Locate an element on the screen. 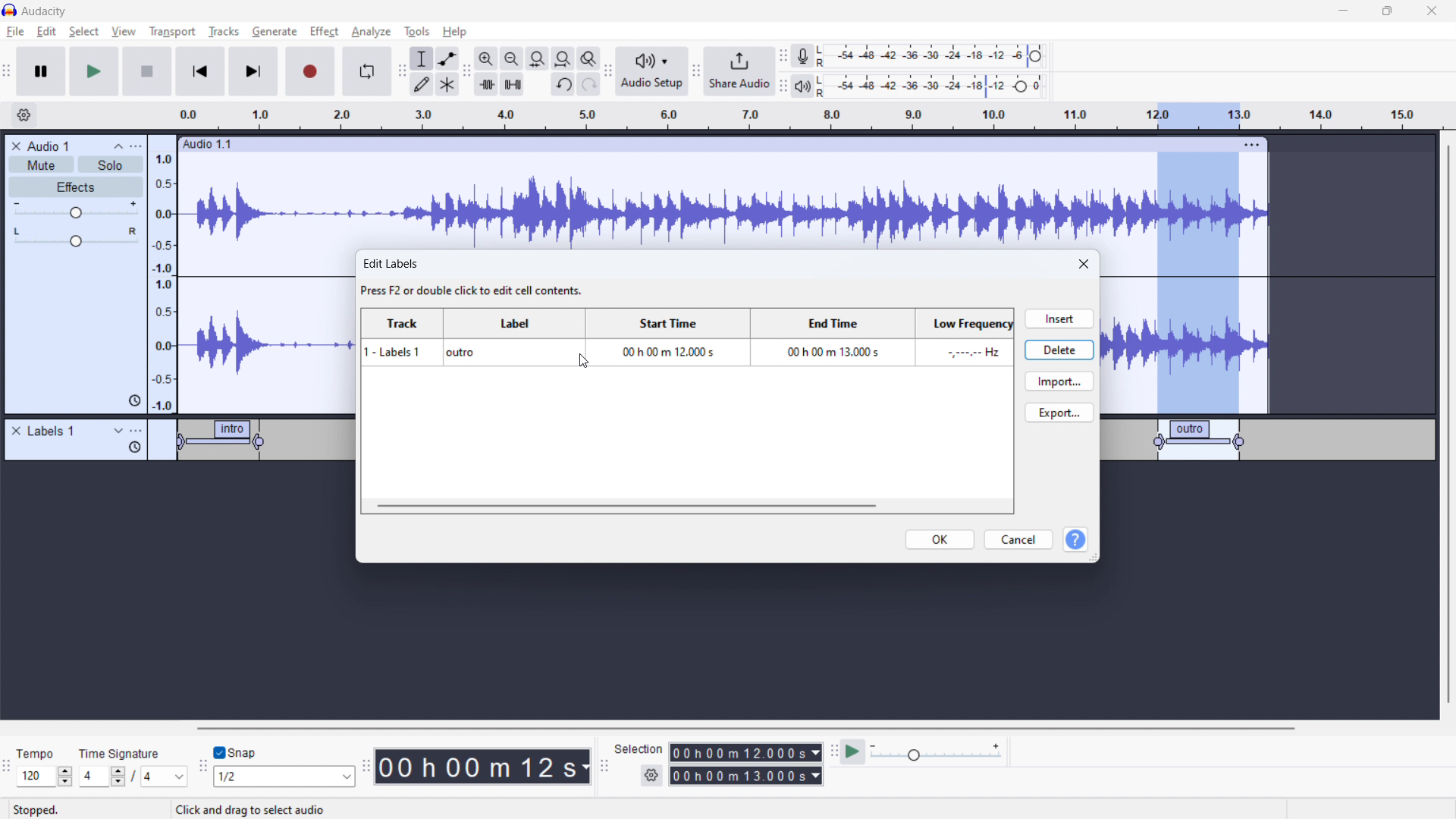  select is located at coordinates (83, 31).